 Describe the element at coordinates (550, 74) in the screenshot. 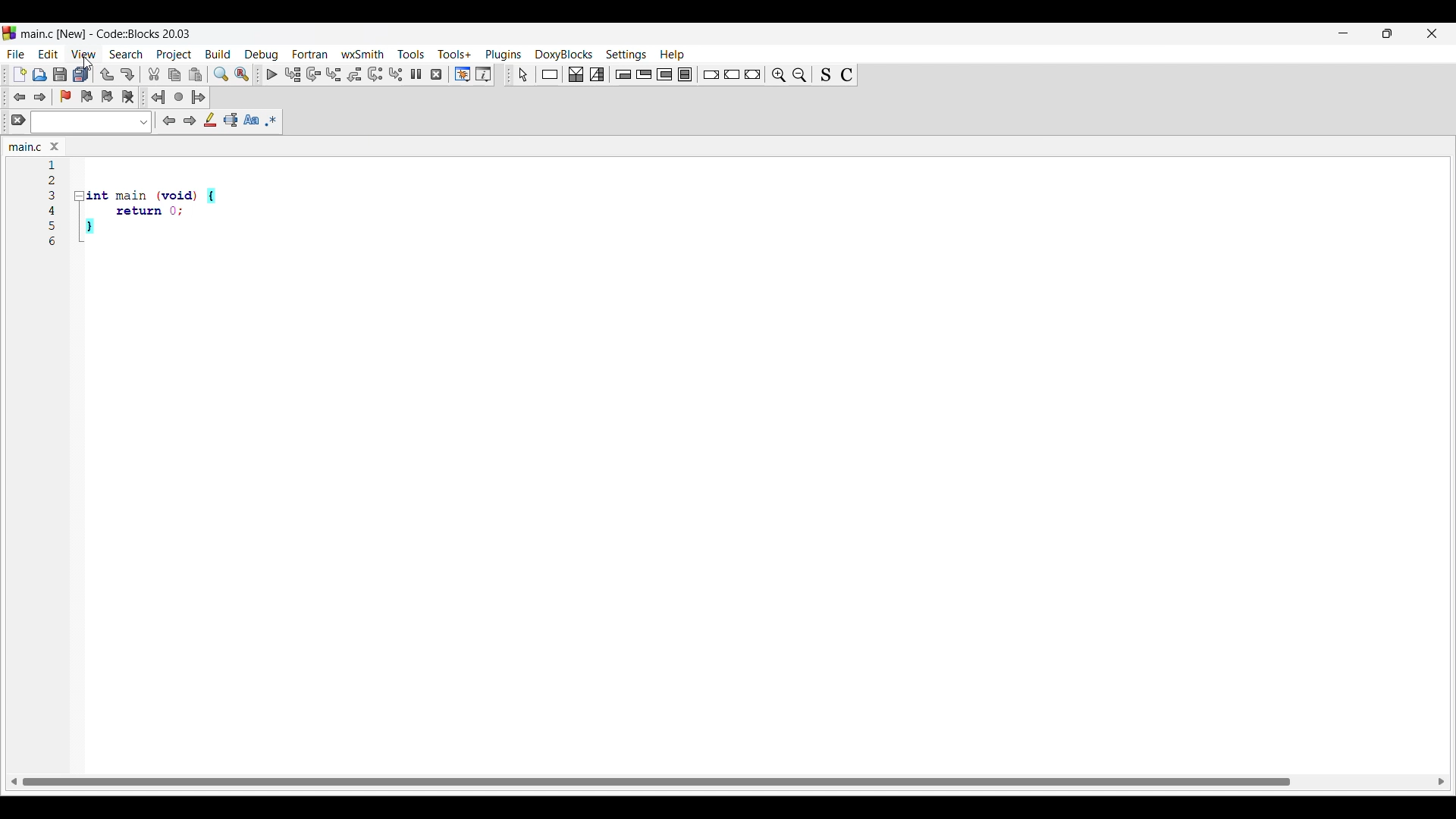

I see `Instruction` at that location.